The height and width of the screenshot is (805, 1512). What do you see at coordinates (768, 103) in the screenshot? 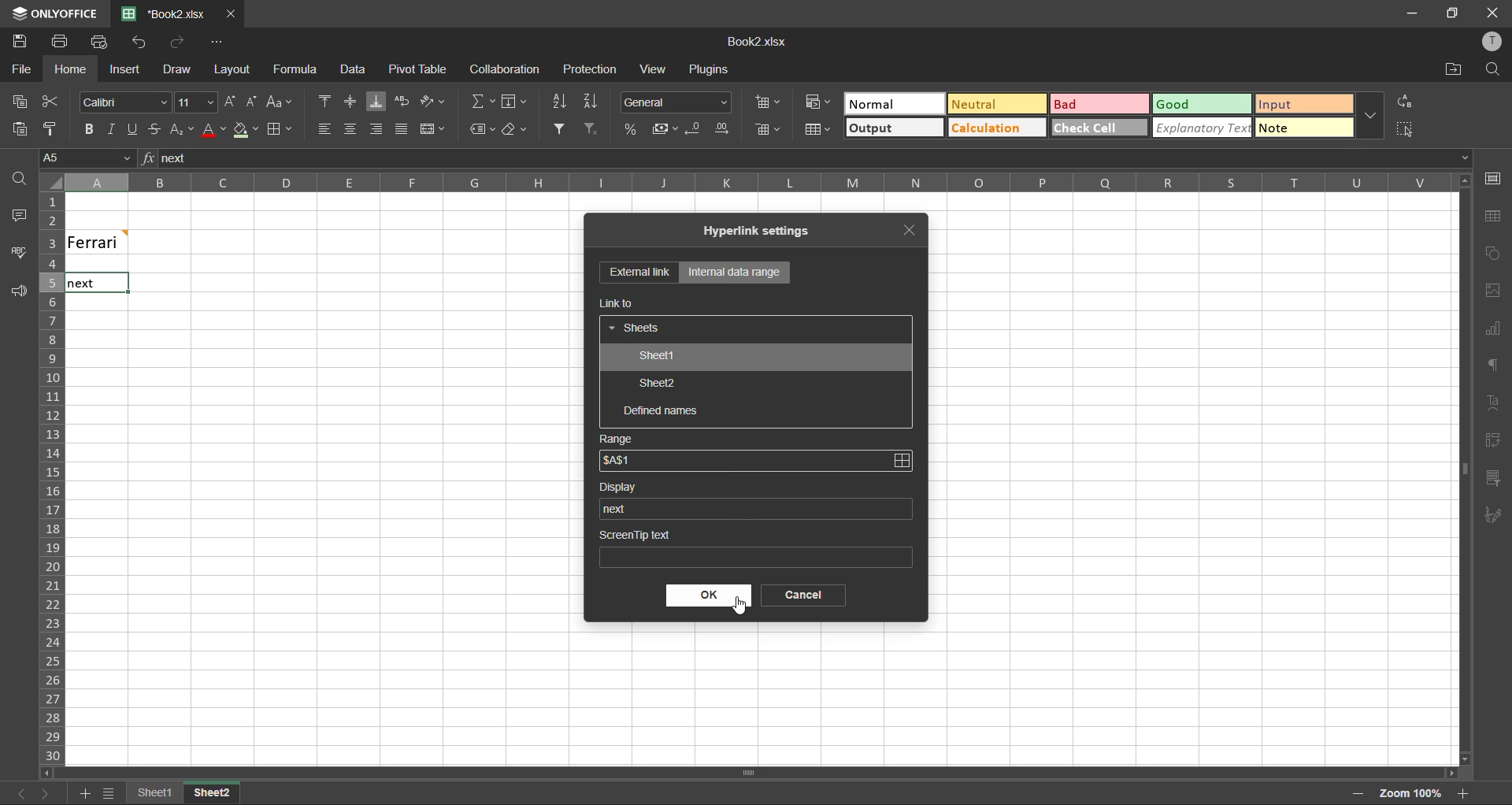
I see `insert cells` at bounding box center [768, 103].